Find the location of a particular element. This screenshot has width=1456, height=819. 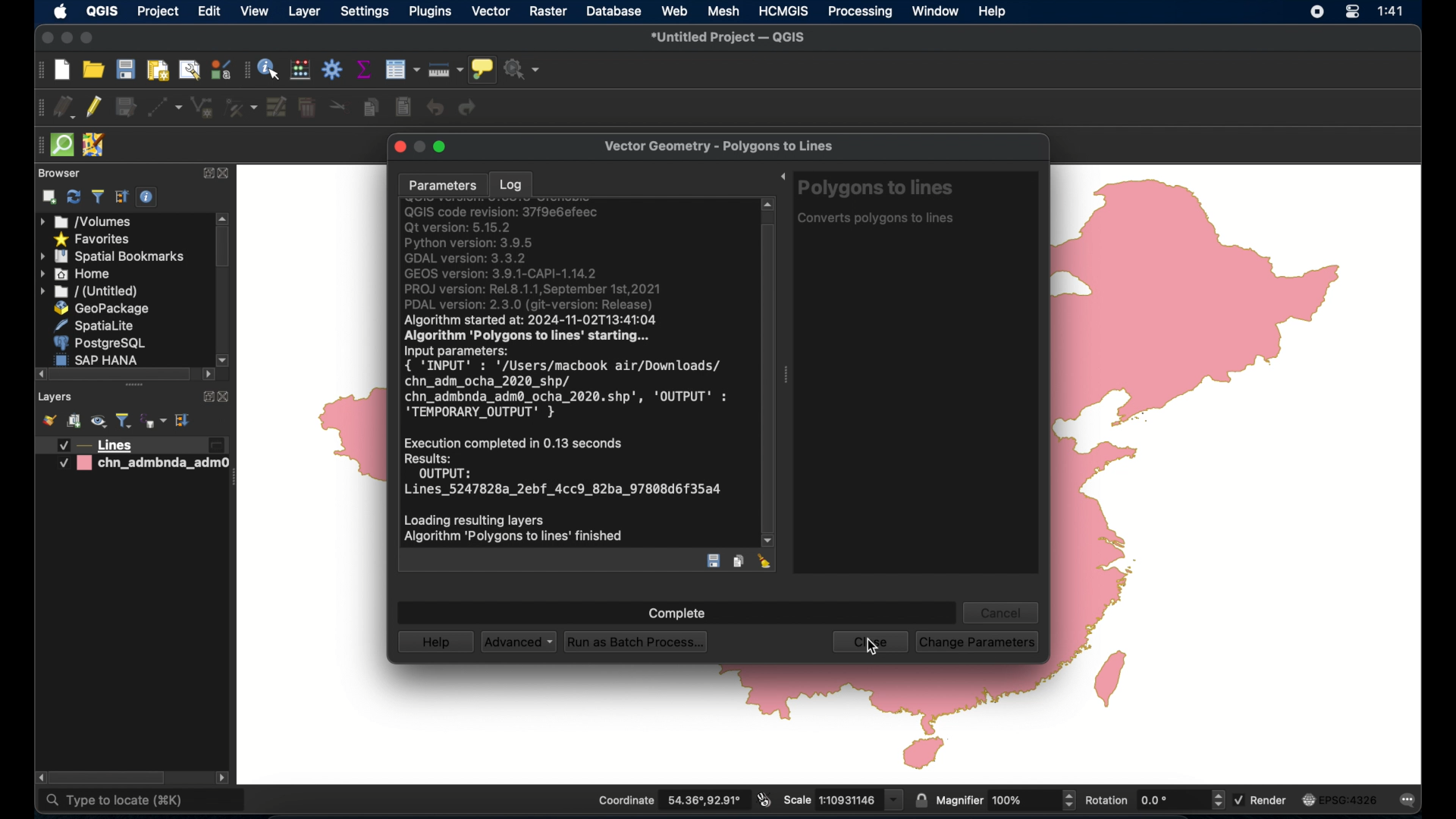

identify features is located at coordinates (269, 69).